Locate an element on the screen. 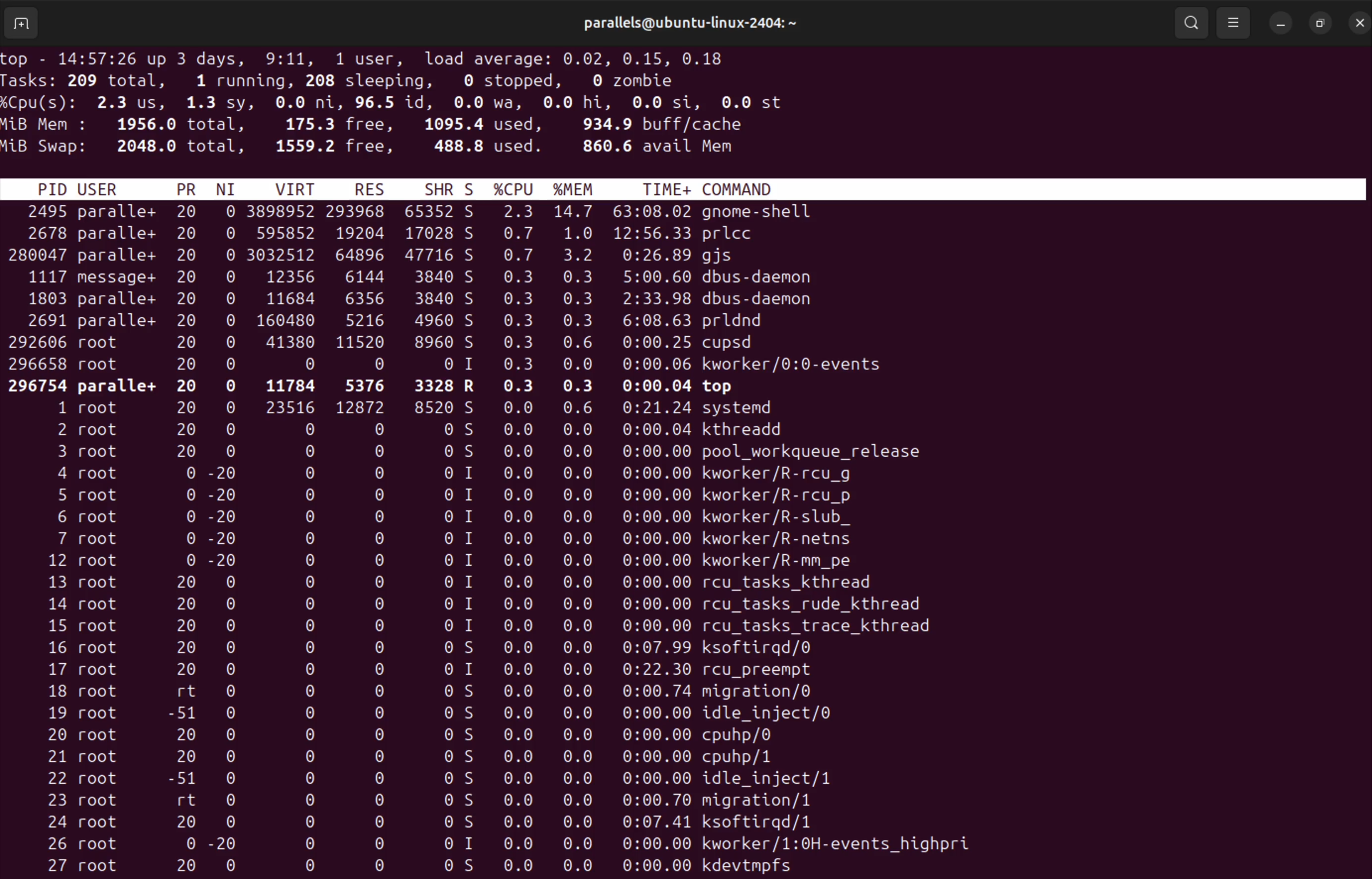  Pr  is located at coordinates (187, 187).